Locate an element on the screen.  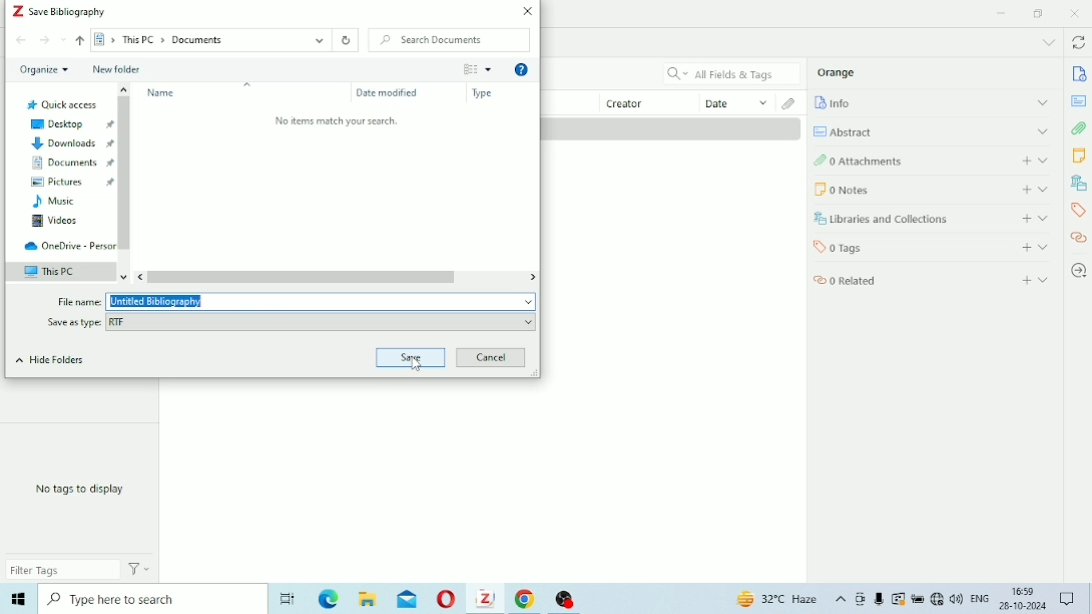
Related is located at coordinates (933, 278).